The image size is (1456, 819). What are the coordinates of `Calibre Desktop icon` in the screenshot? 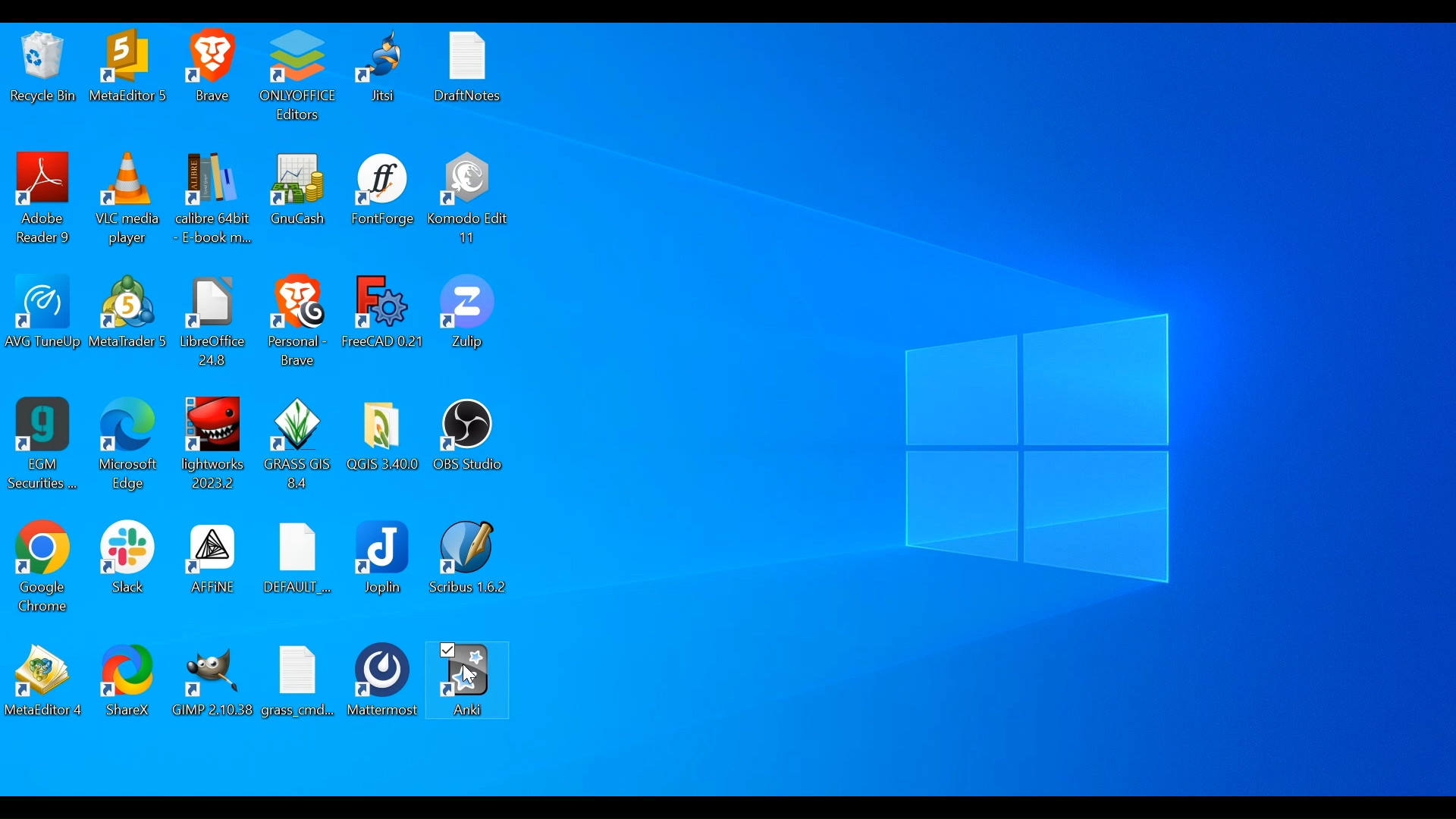 It's located at (215, 202).